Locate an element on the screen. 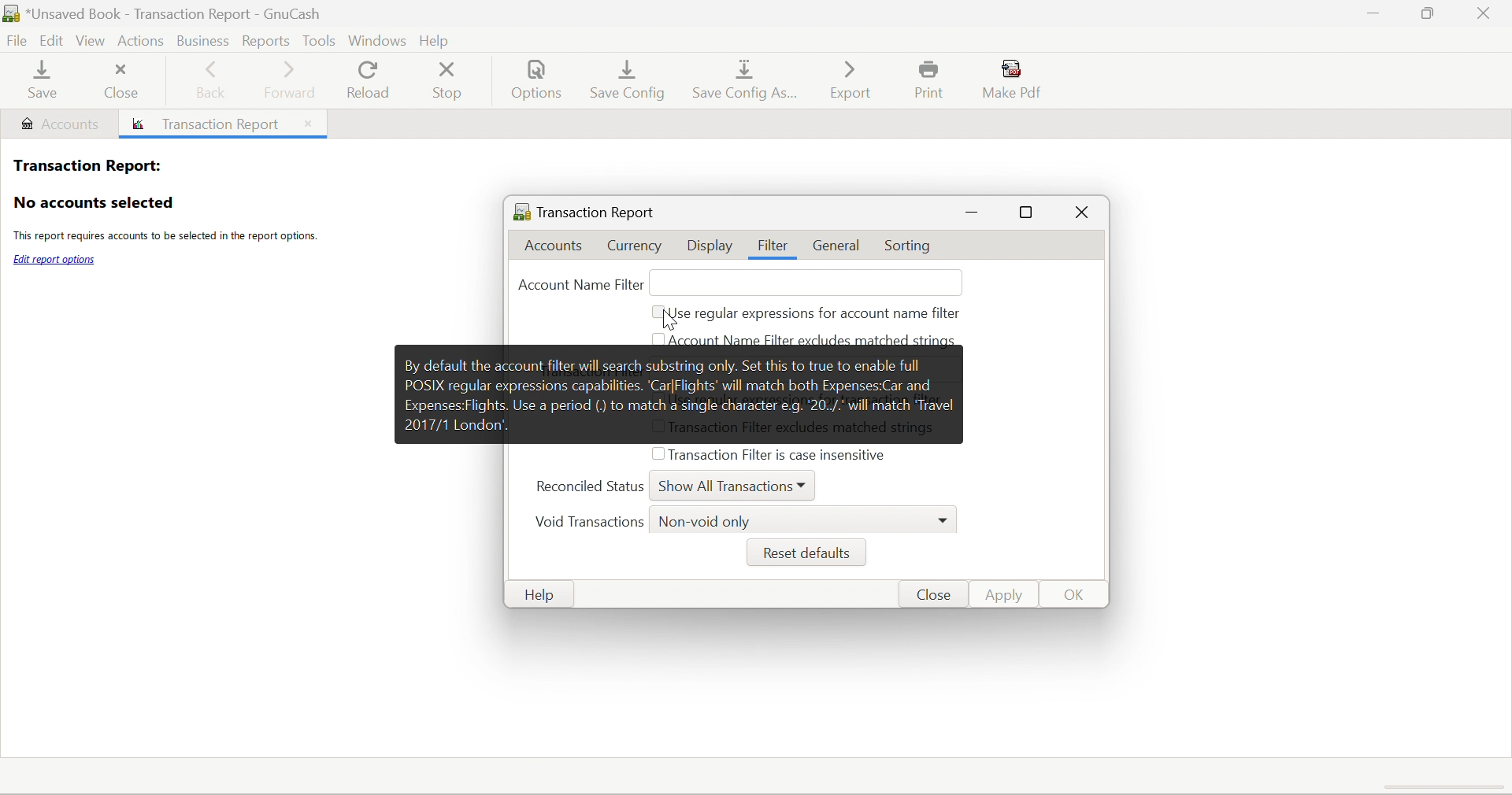 This screenshot has width=1512, height=795. Void Transactions is located at coordinates (587, 523).